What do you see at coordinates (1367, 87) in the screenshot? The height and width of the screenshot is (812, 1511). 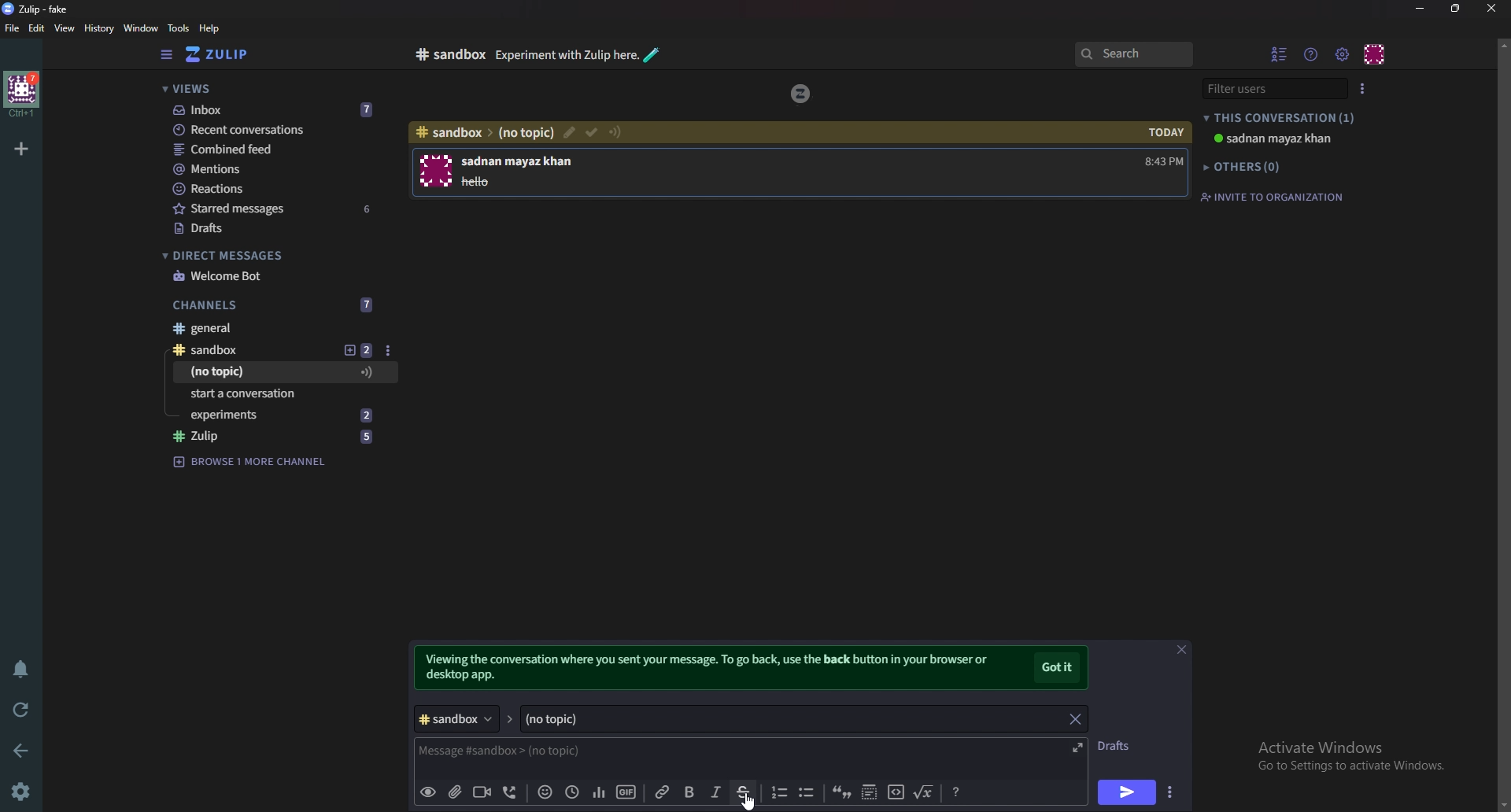 I see `user list style` at bounding box center [1367, 87].